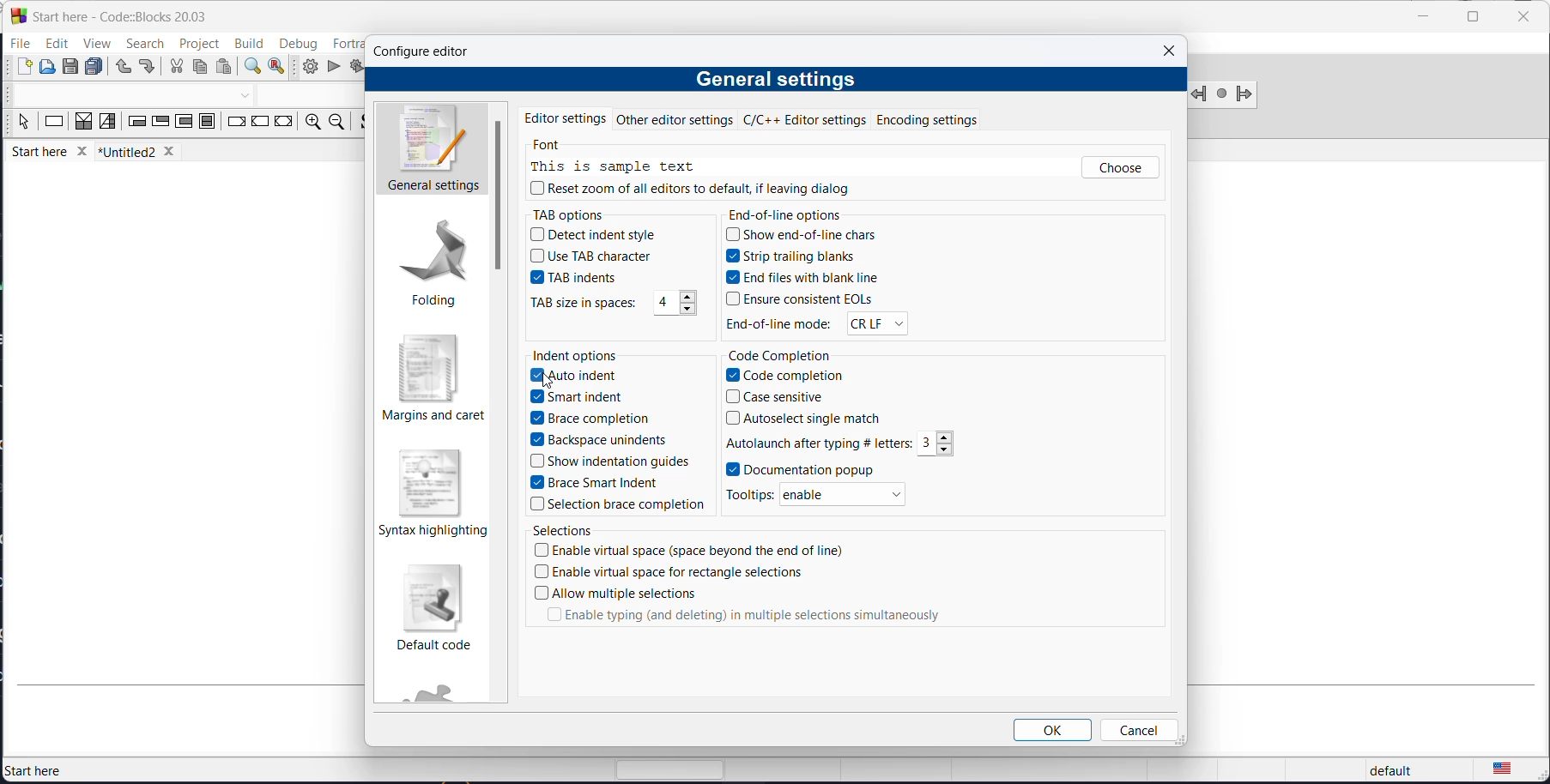 This screenshot has width=1550, height=784. Describe the element at coordinates (607, 482) in the screenshot. I see `brace smart indent checkbox` at that location.